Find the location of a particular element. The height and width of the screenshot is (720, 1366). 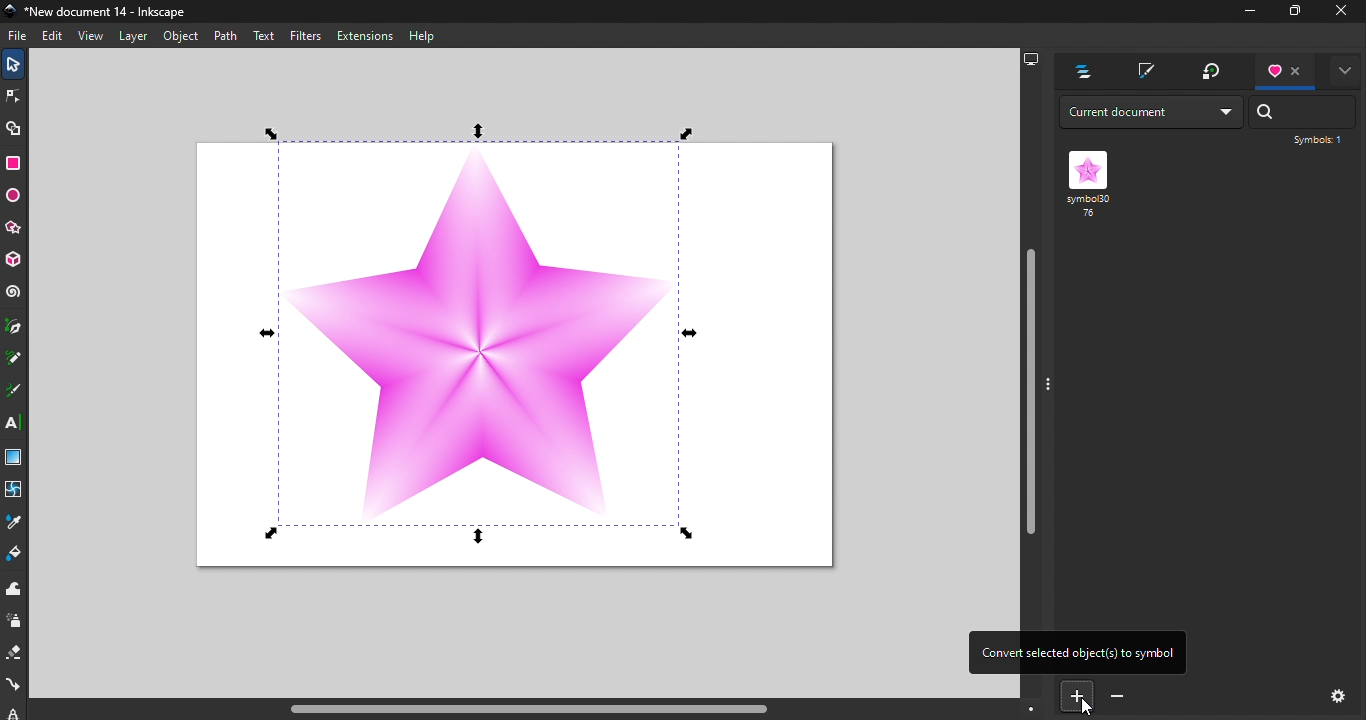

Toggle display options is located at coordinates (1343, 69).